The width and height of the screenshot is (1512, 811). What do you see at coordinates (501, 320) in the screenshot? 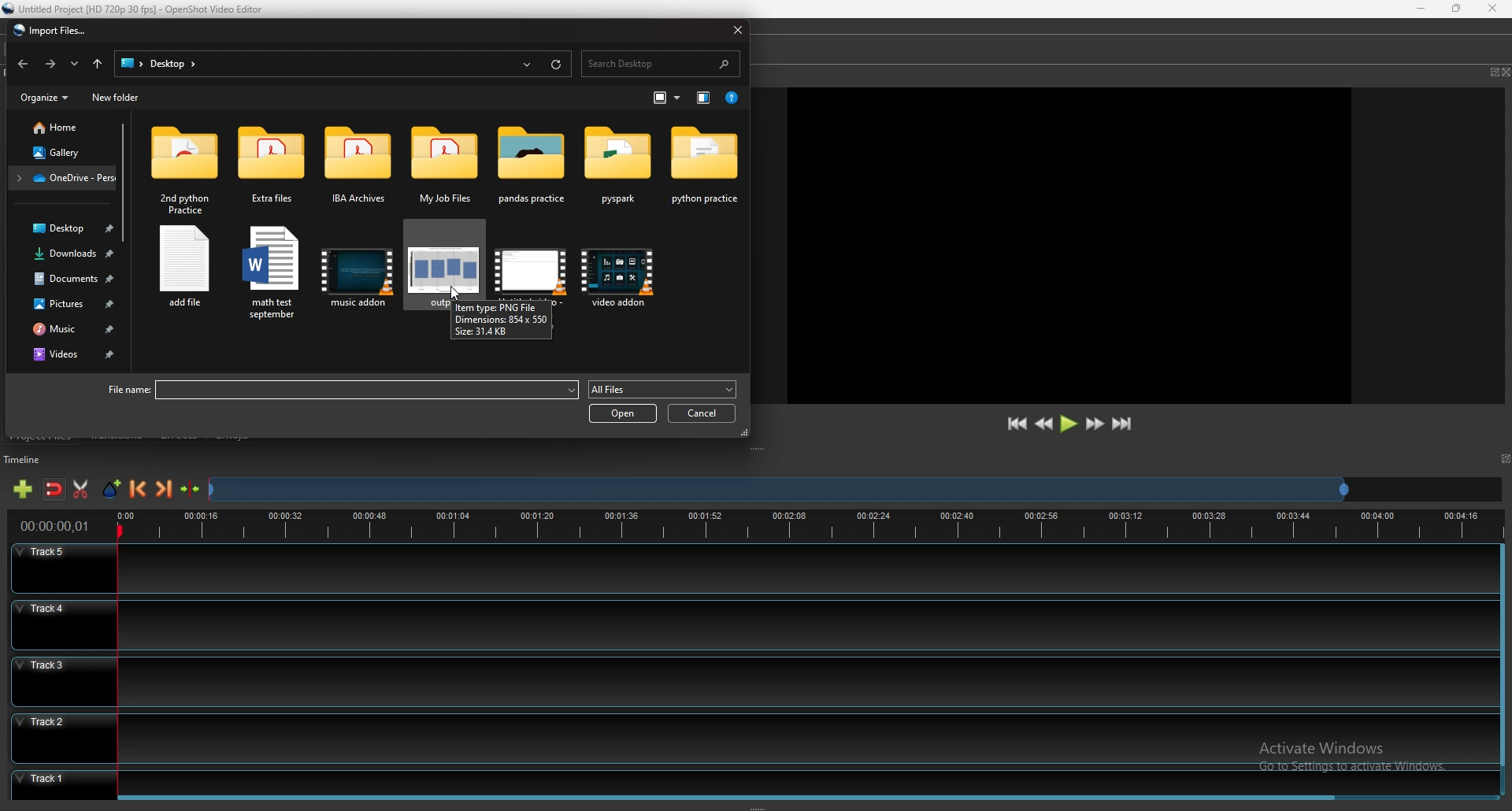
I see `cursor description` at bounding box center [501, 320].